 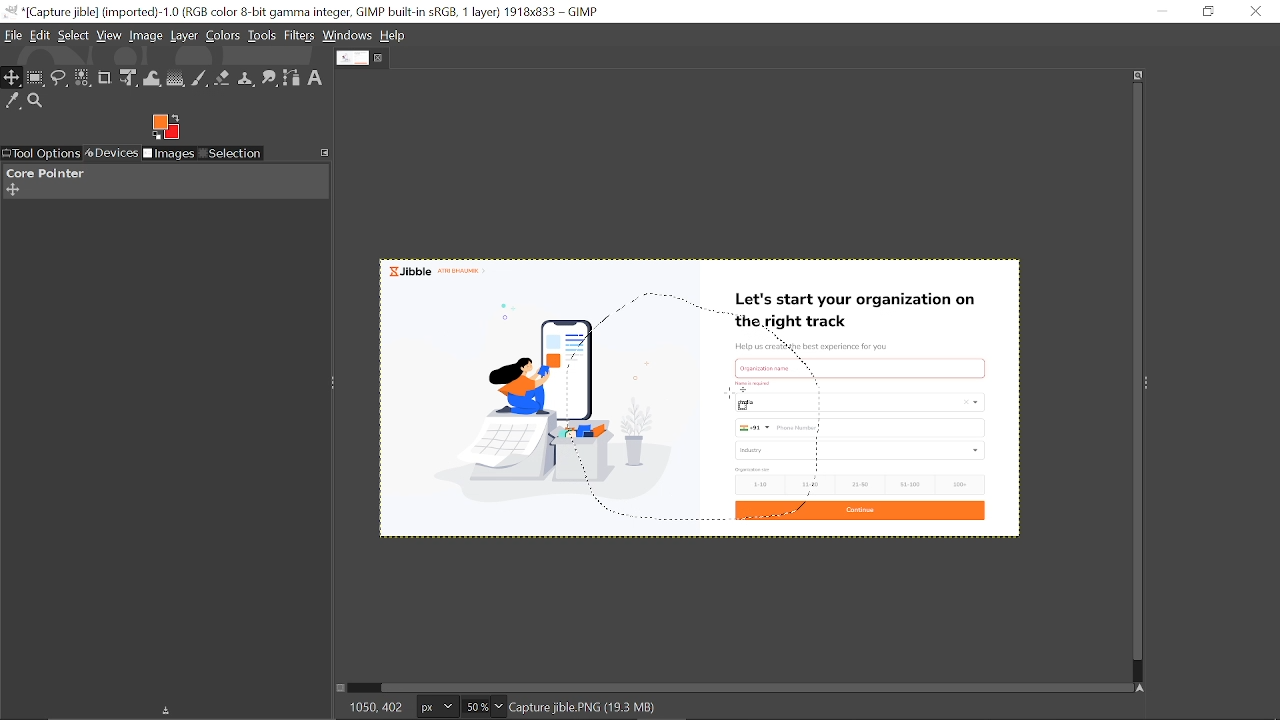 I want to click on Smudge tool, so click(x=271, y=79).